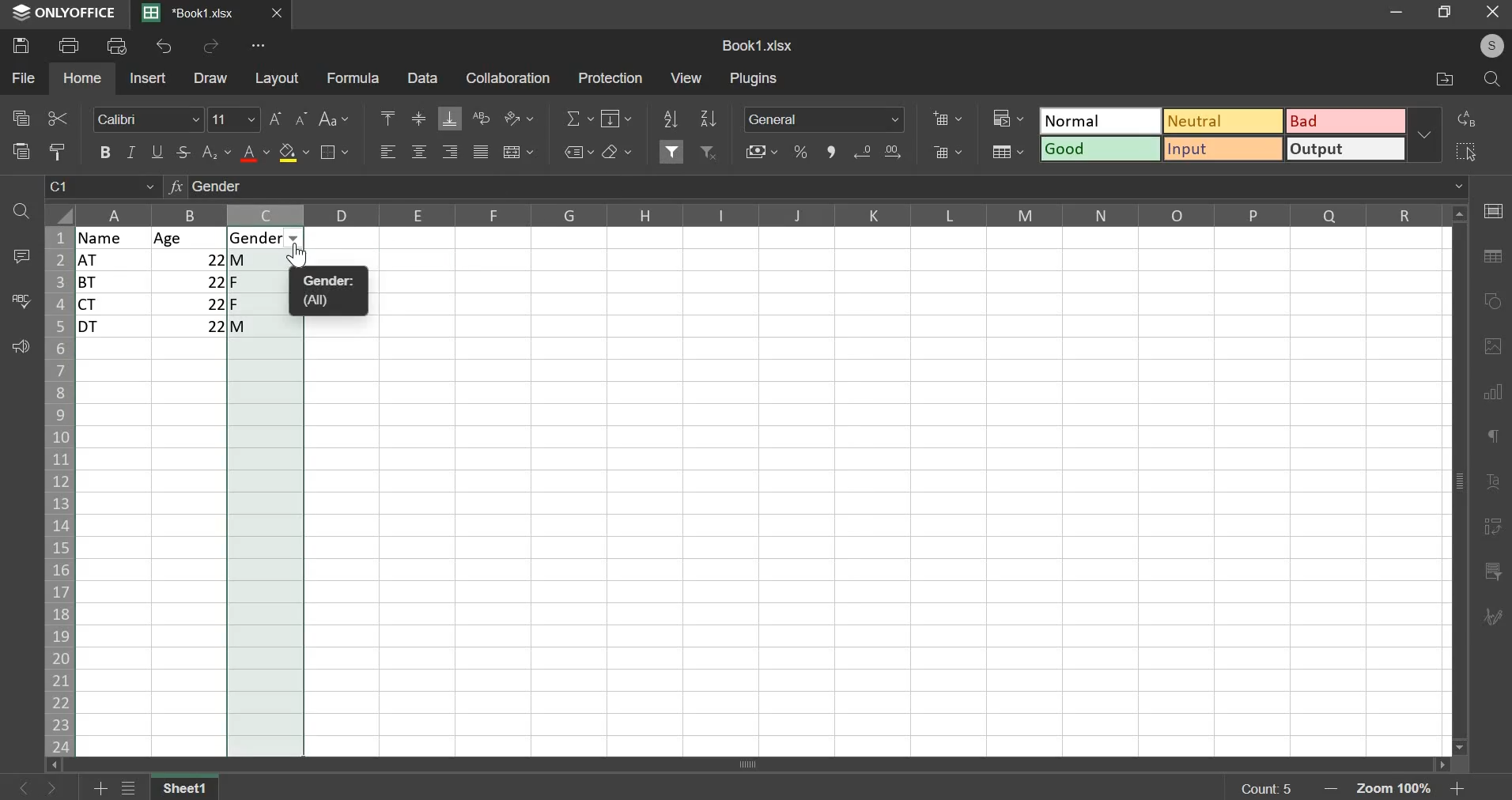  I want to click on zoom out, so click(1334, 789).